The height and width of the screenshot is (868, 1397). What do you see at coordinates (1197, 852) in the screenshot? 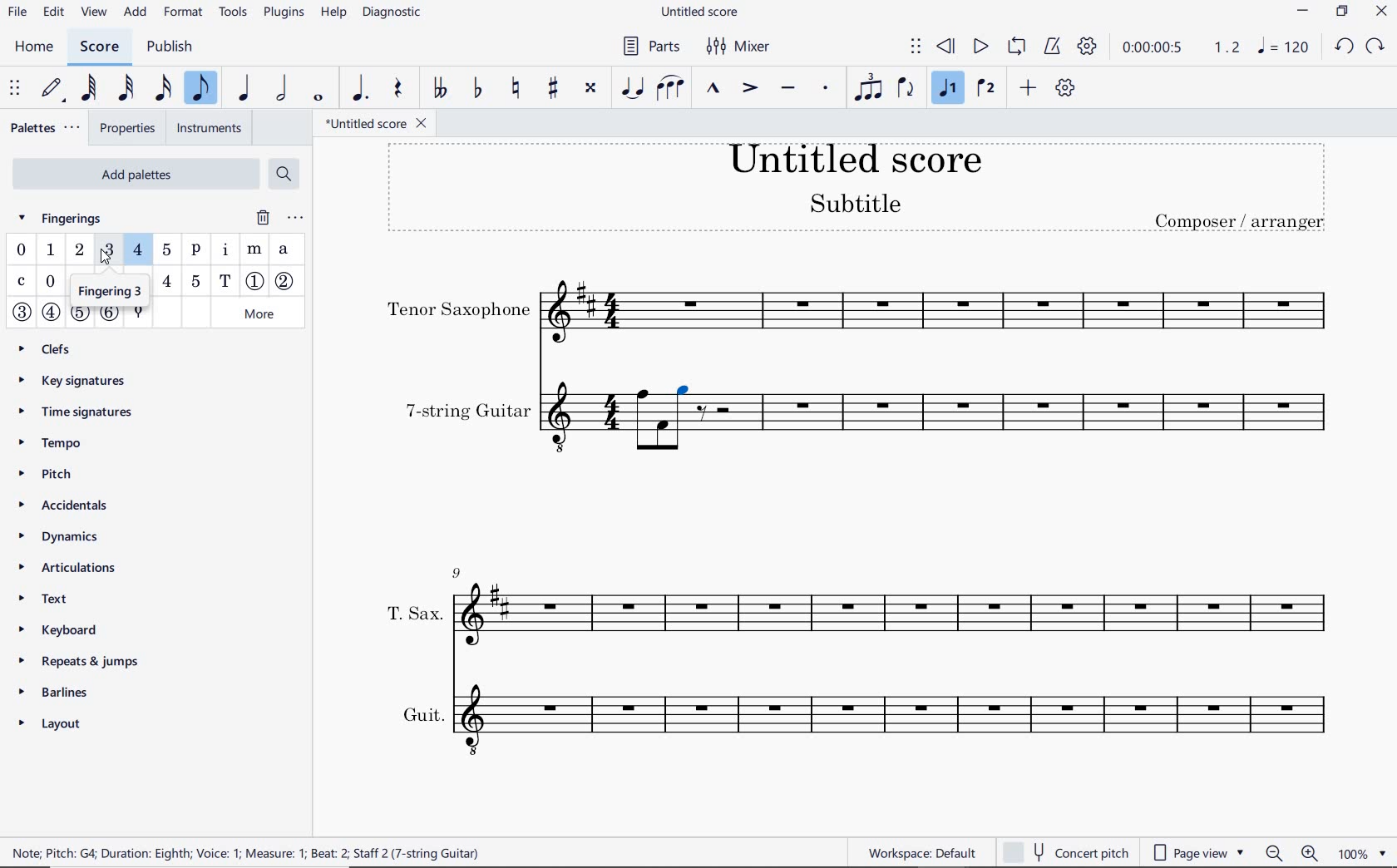
I see `PAGE VIEW` at bounding box center [1197, 852].